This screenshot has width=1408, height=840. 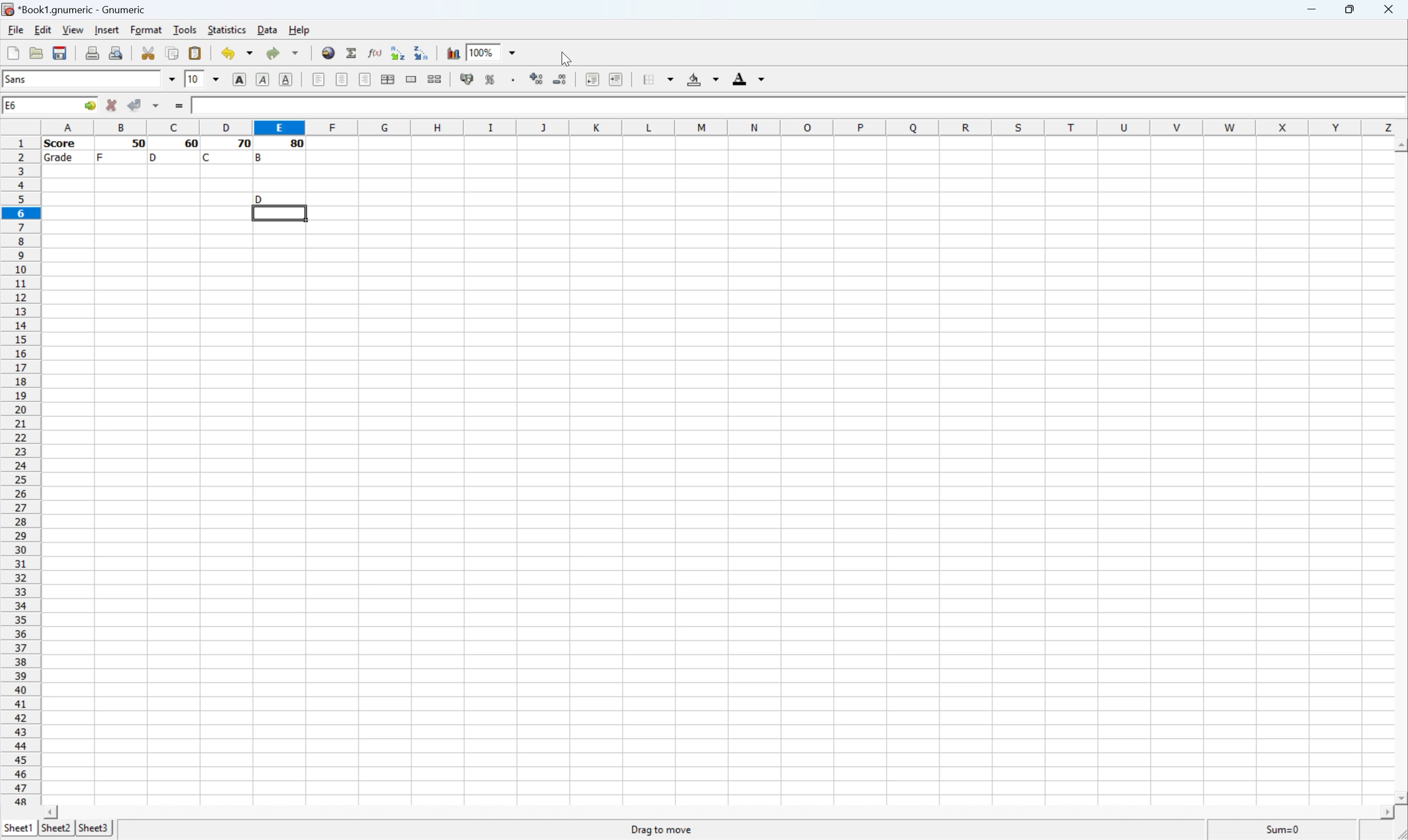 What do you see at coordinates (849, 179) in the screenshot?
I see `cells` at bounding box center [849, 179].